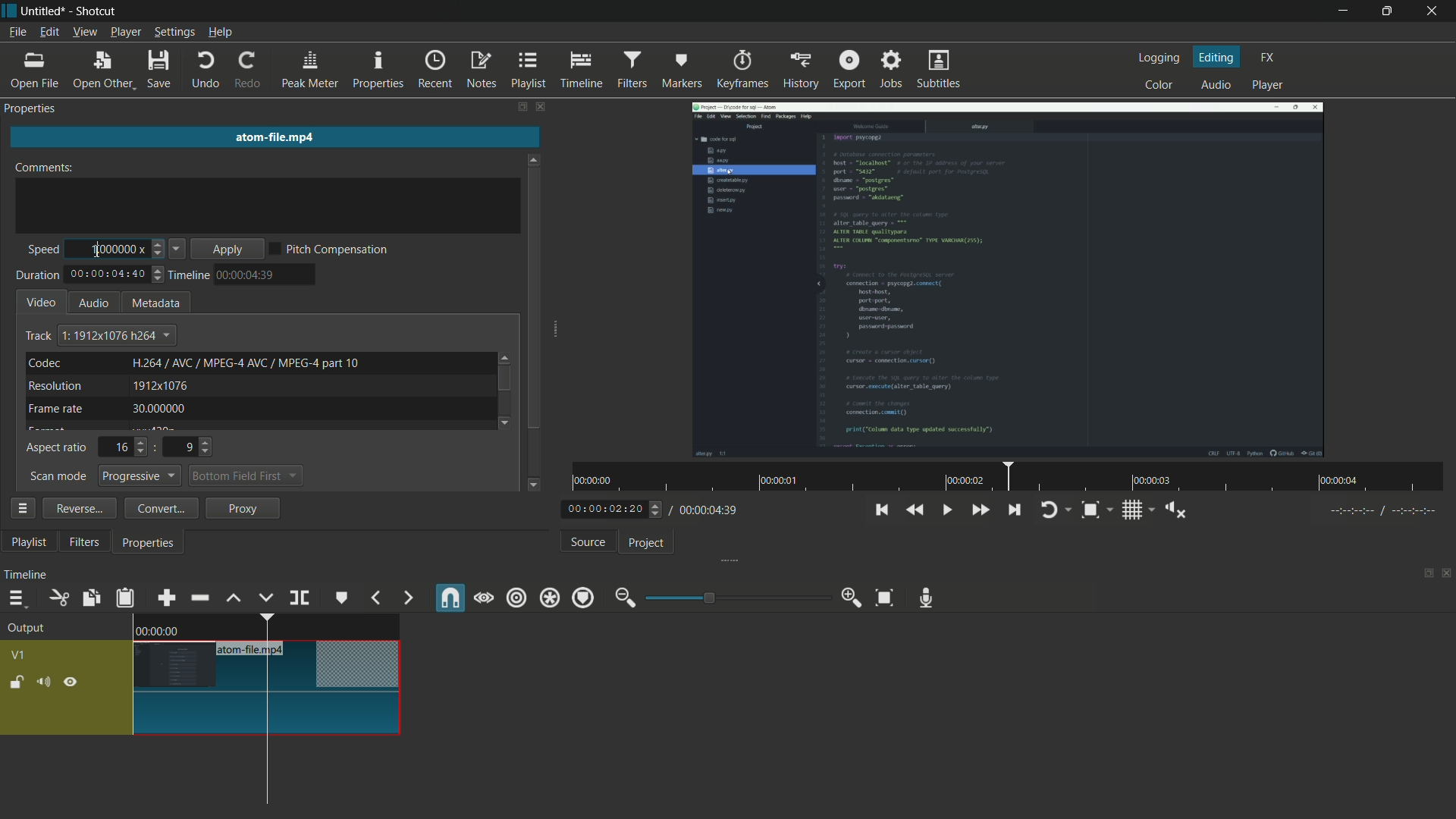 The width and height of the screenshot is (1456, 819). I want to click on paste, so click(124, 598).